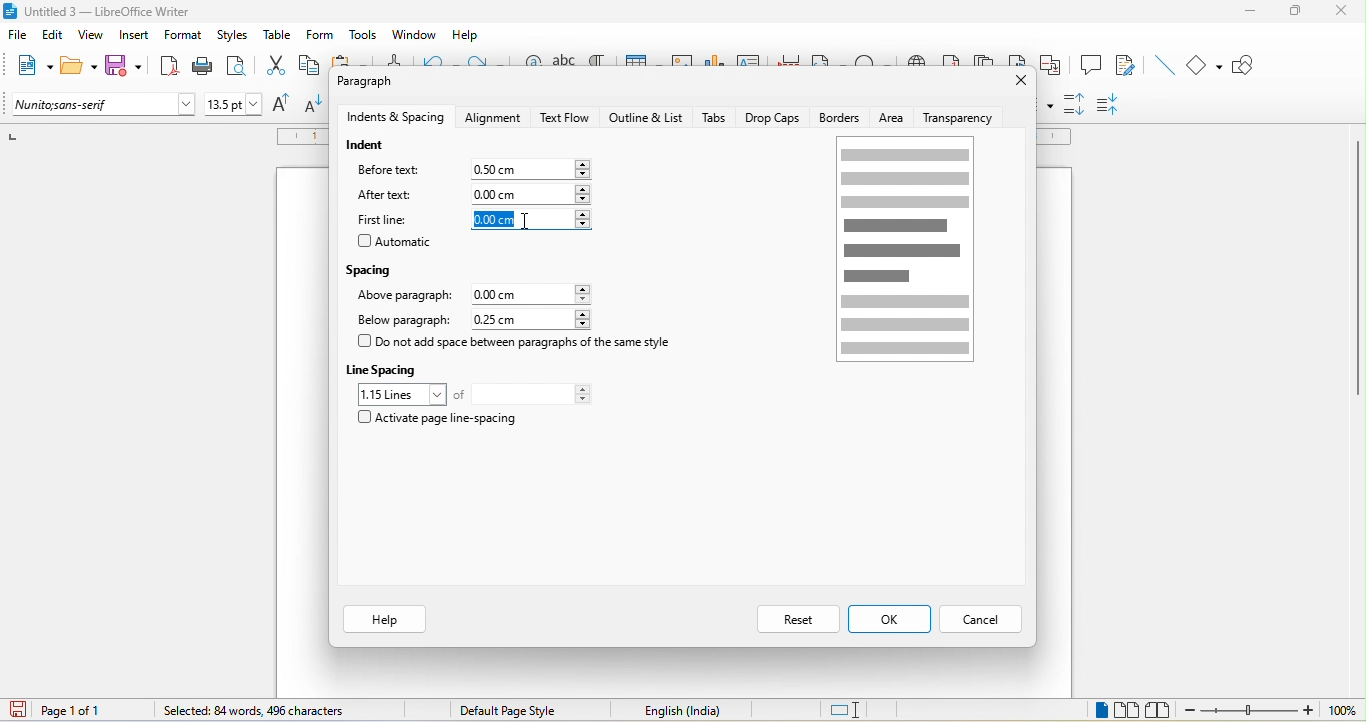 The height and width of the screenshot is (722, 1366). Describe the element at coordinates (531, 394) in the screenshot. I see `total lines` at that location.